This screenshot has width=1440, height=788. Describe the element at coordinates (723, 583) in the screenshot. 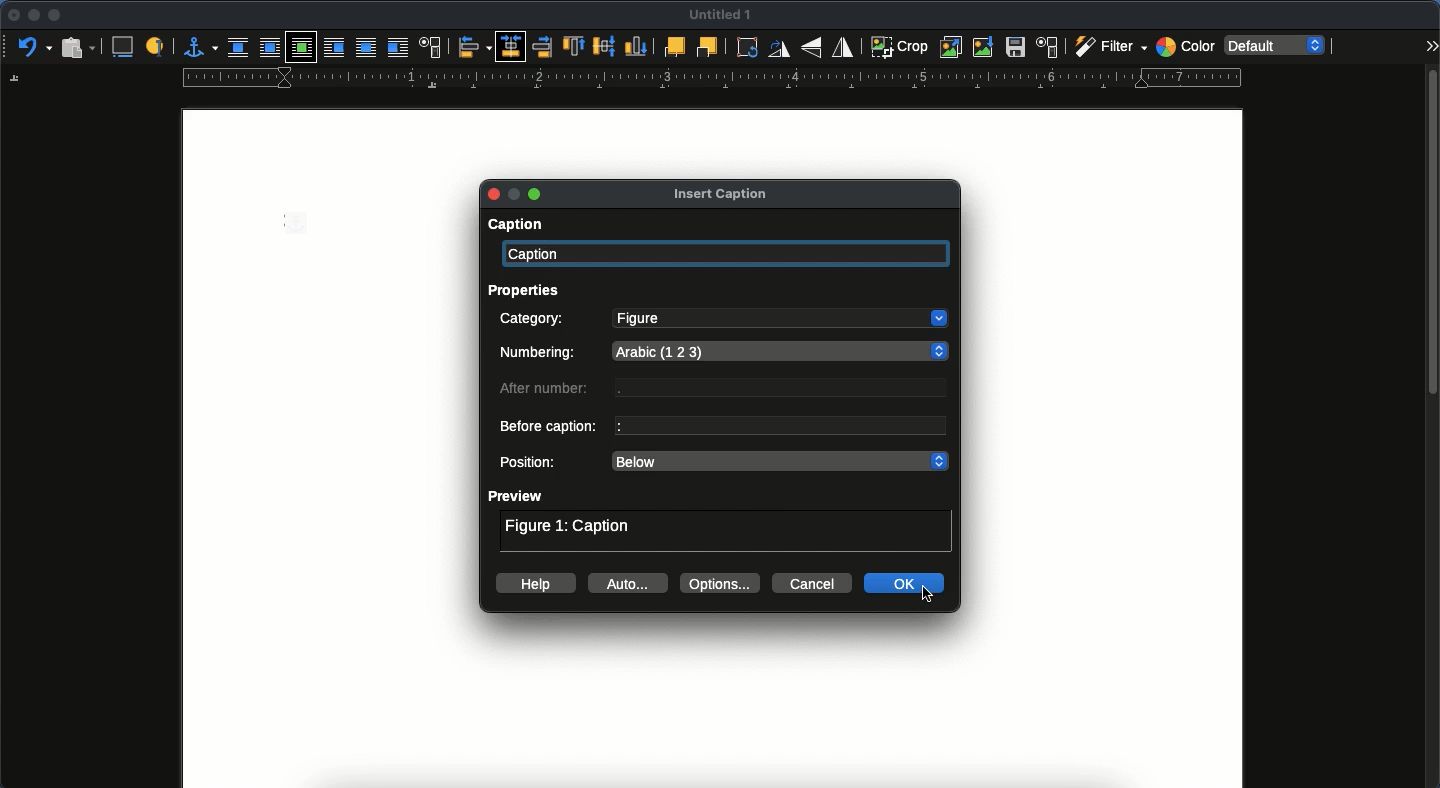

I see `options` at that location.